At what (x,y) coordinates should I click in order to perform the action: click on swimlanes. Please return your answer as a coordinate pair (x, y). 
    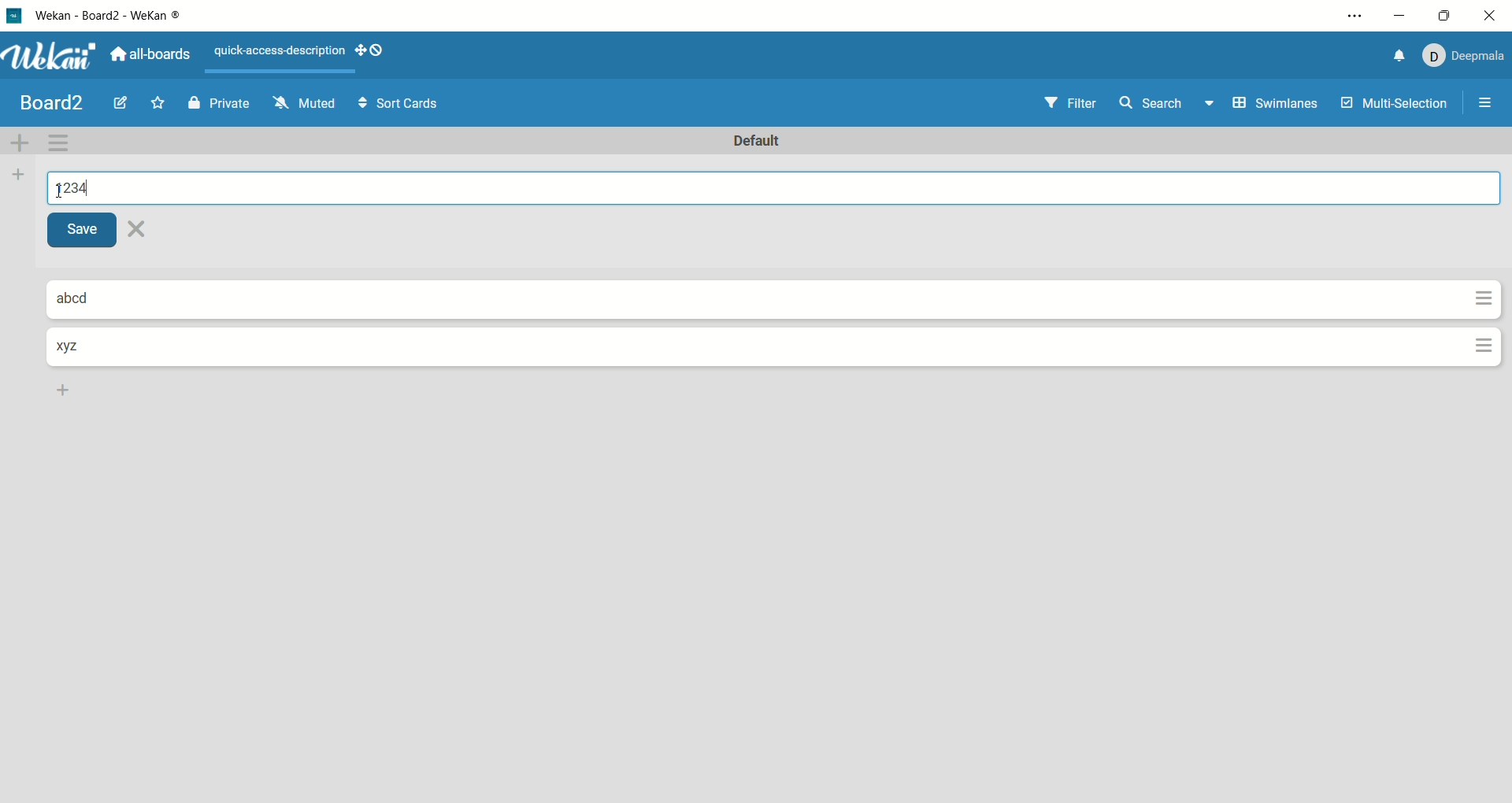
    Looking at the image, I should click on (1274, 105).